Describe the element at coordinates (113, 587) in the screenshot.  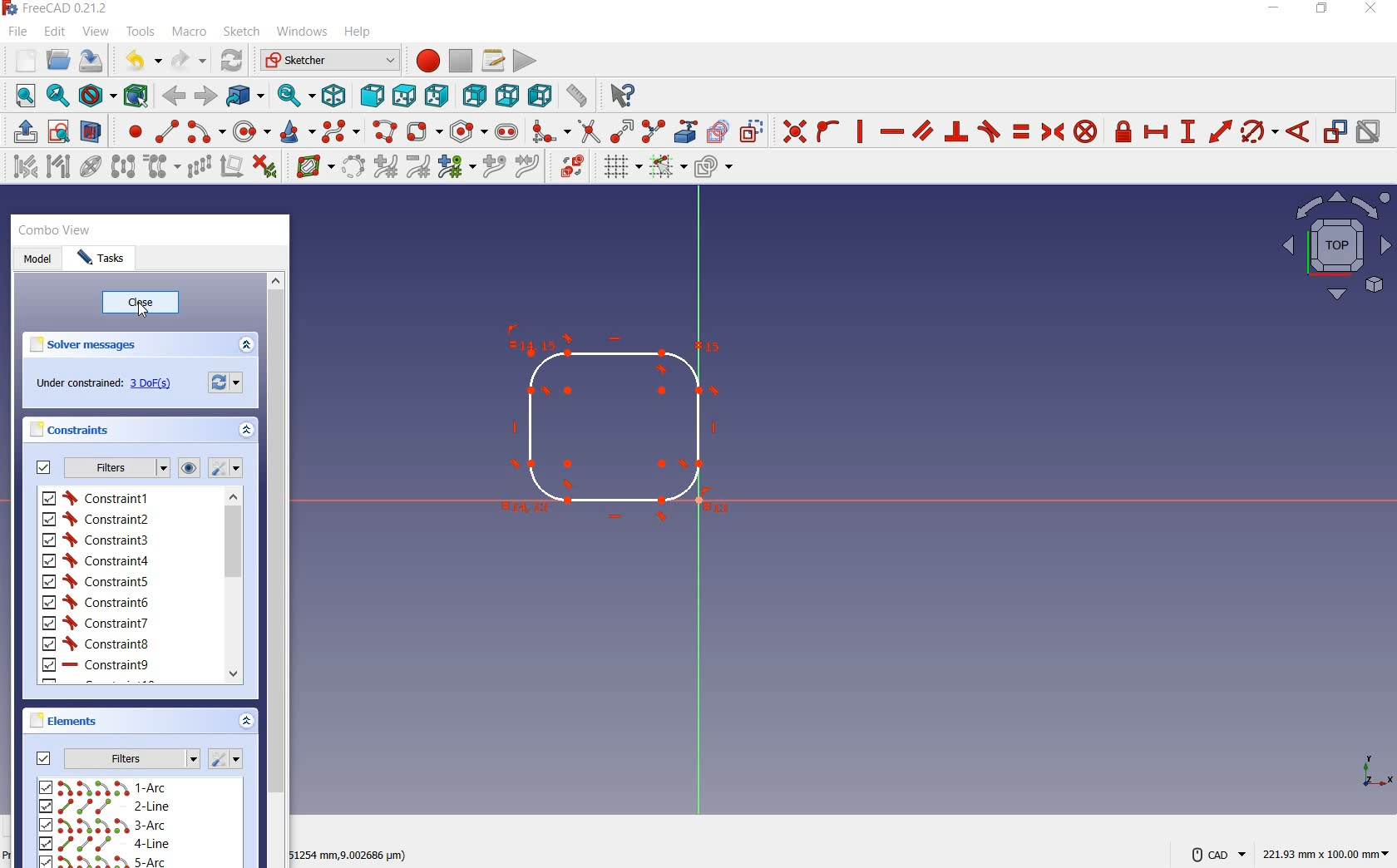
I see `constraints` at that location.